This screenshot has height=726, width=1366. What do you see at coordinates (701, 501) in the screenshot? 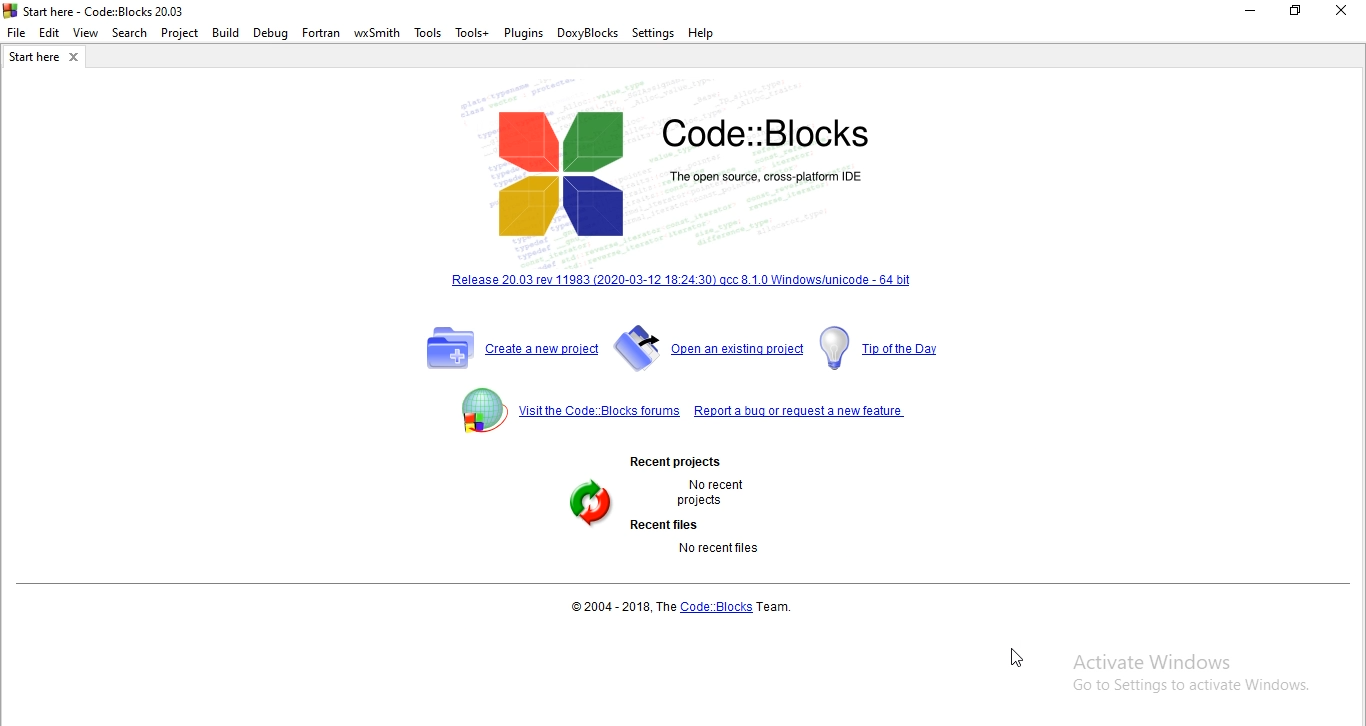
I see `projects` at bounding box center [701, 501].